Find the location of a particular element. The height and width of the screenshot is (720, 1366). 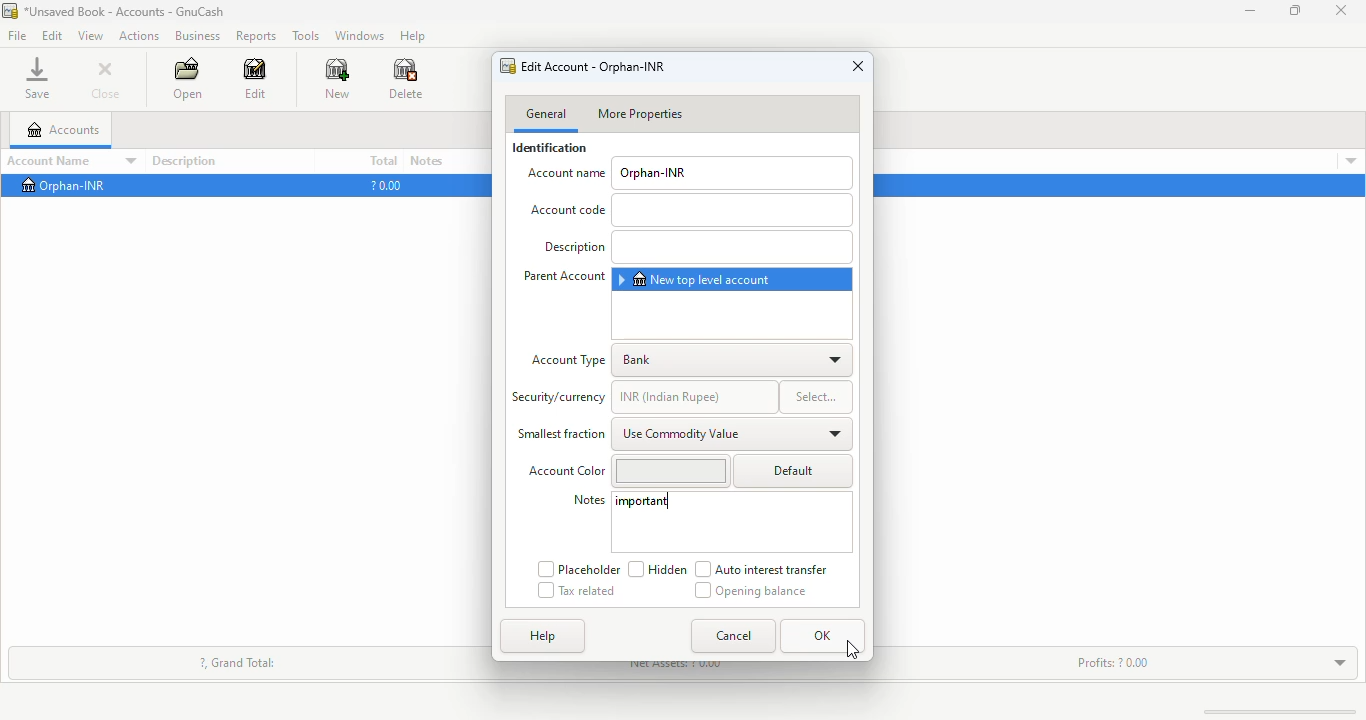

cursor is located at coordinates (851, 650).